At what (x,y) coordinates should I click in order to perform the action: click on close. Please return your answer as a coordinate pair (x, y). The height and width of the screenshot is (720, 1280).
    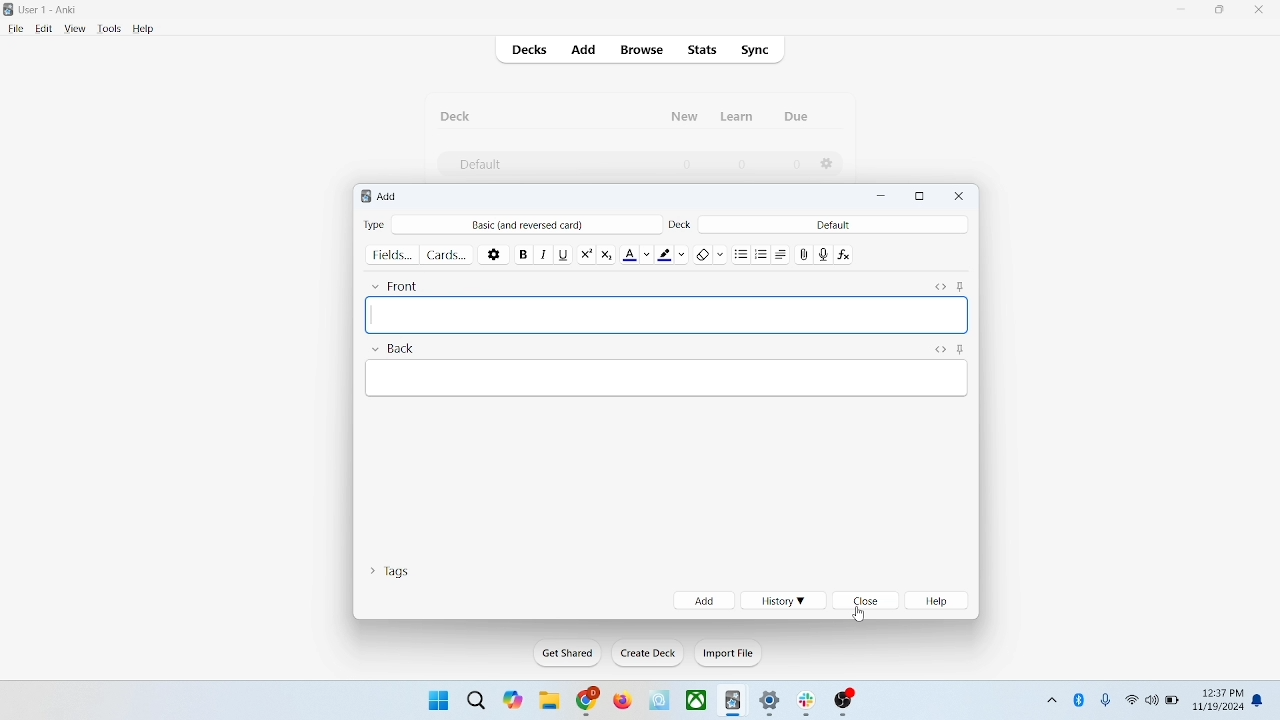
    Looking at the image, I should click on (867, 602).